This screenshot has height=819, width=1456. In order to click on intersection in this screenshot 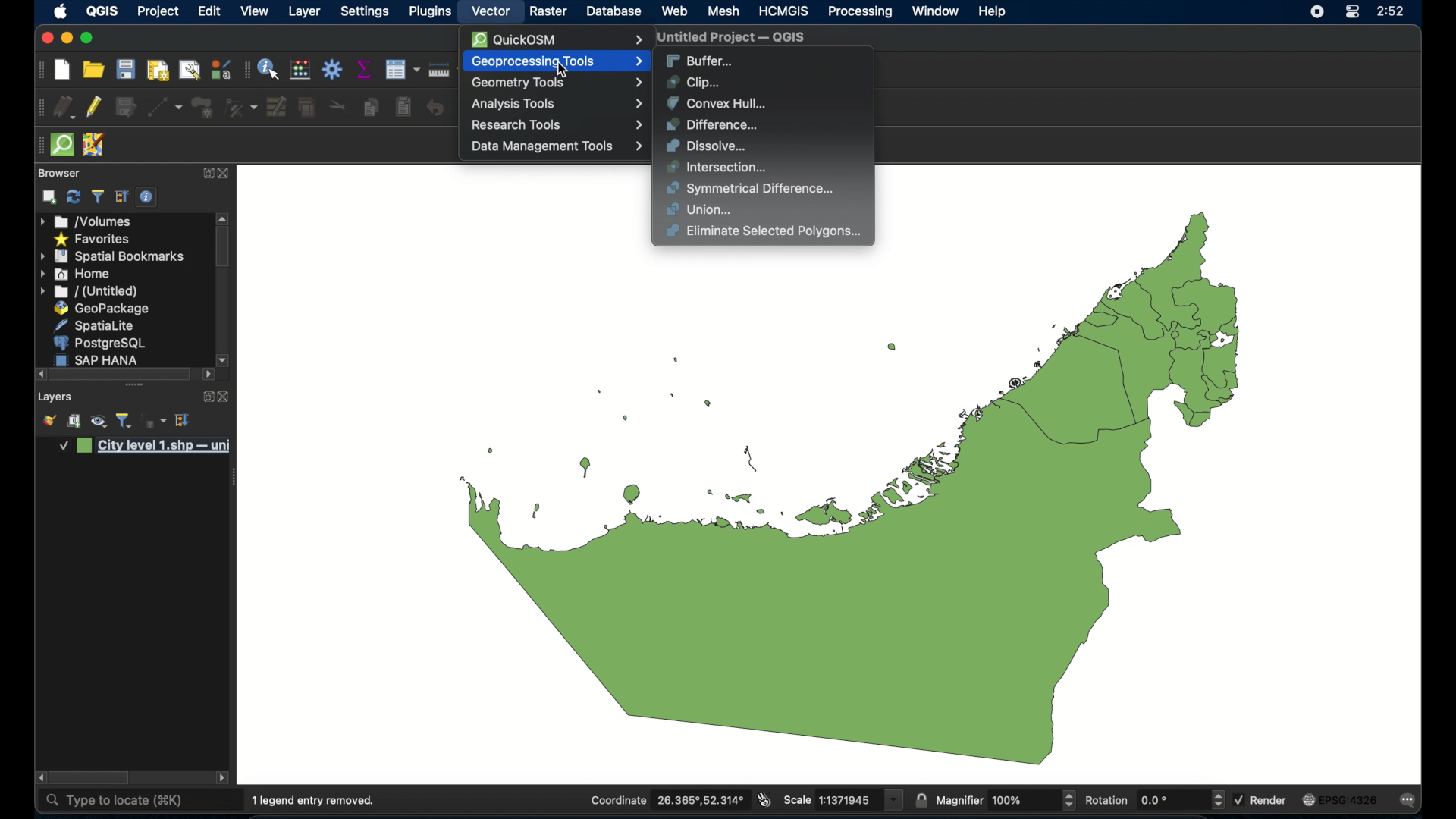, I will do `click(717, 168)`.